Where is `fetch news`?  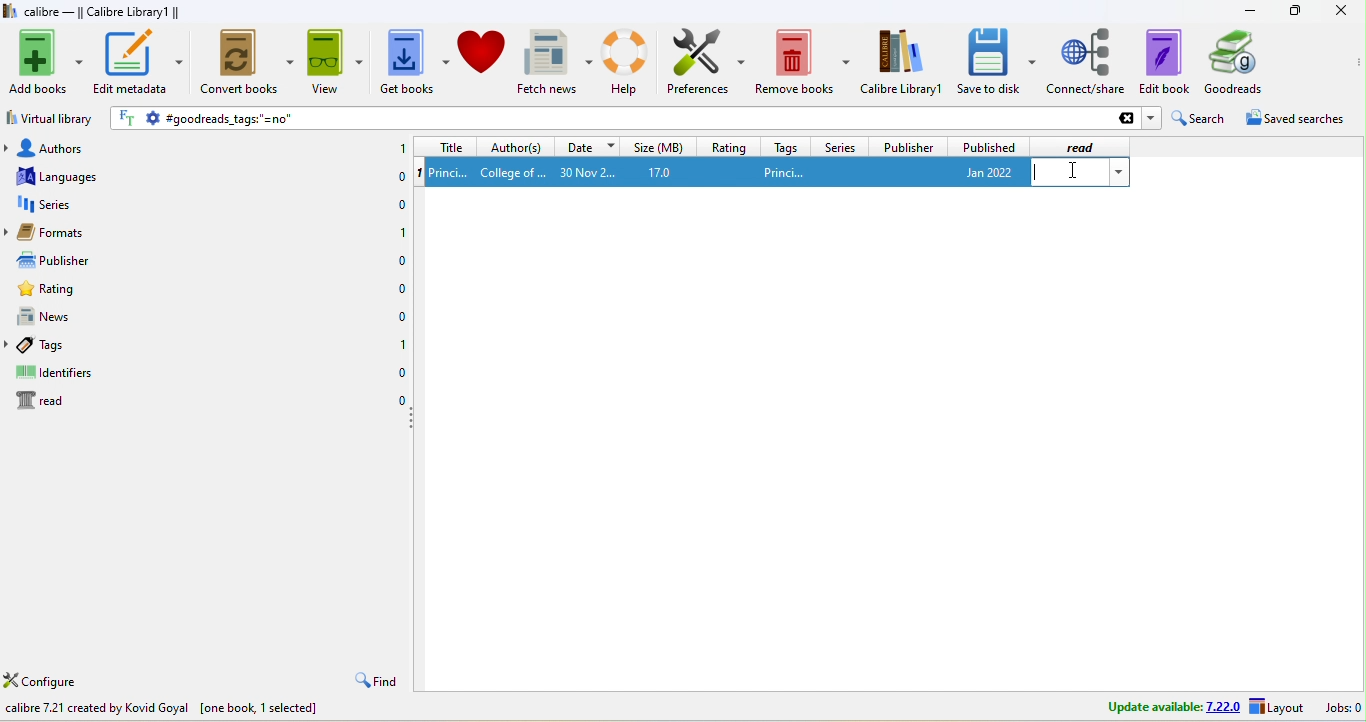 fetch news is located at coordinates (555, 61).